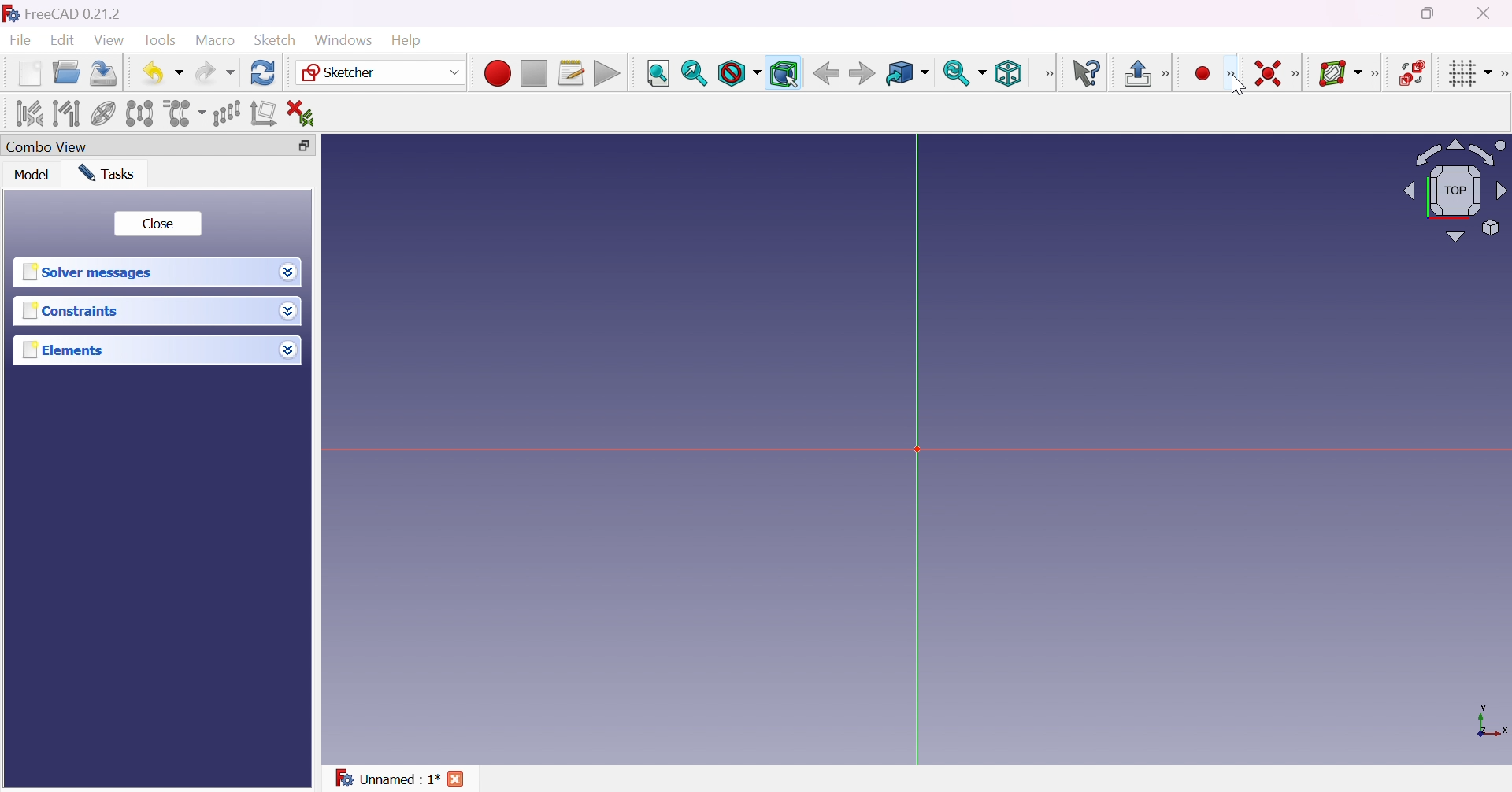 Image resolution: width=1512 pixels, height=792 pixels. What do you see at coordinates (1008, 72) in the screenshot?
I see `Isometric` at bounding box center [1008, 72].